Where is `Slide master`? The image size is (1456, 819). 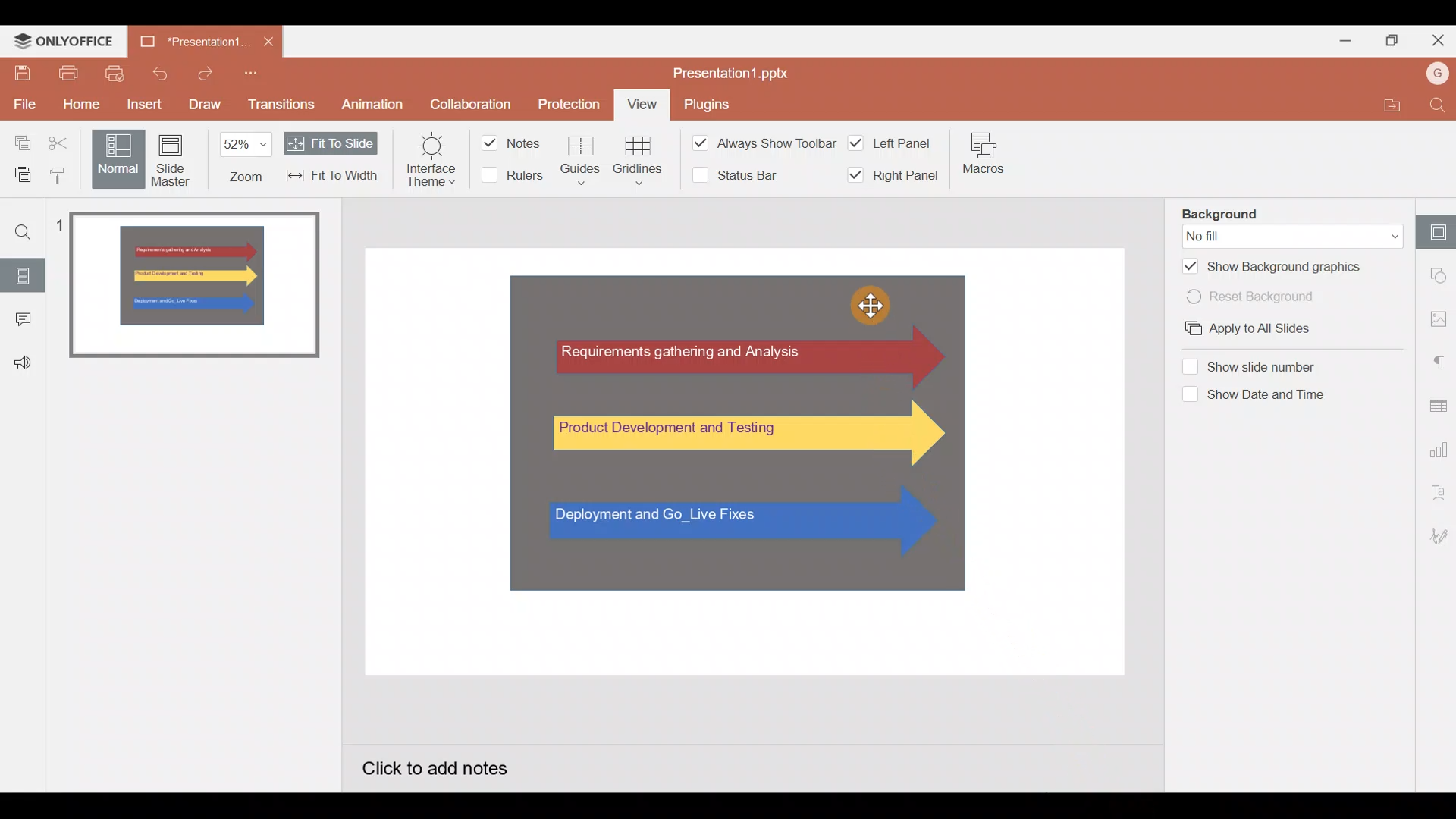
Slide master is located at coordinates (171, 160).